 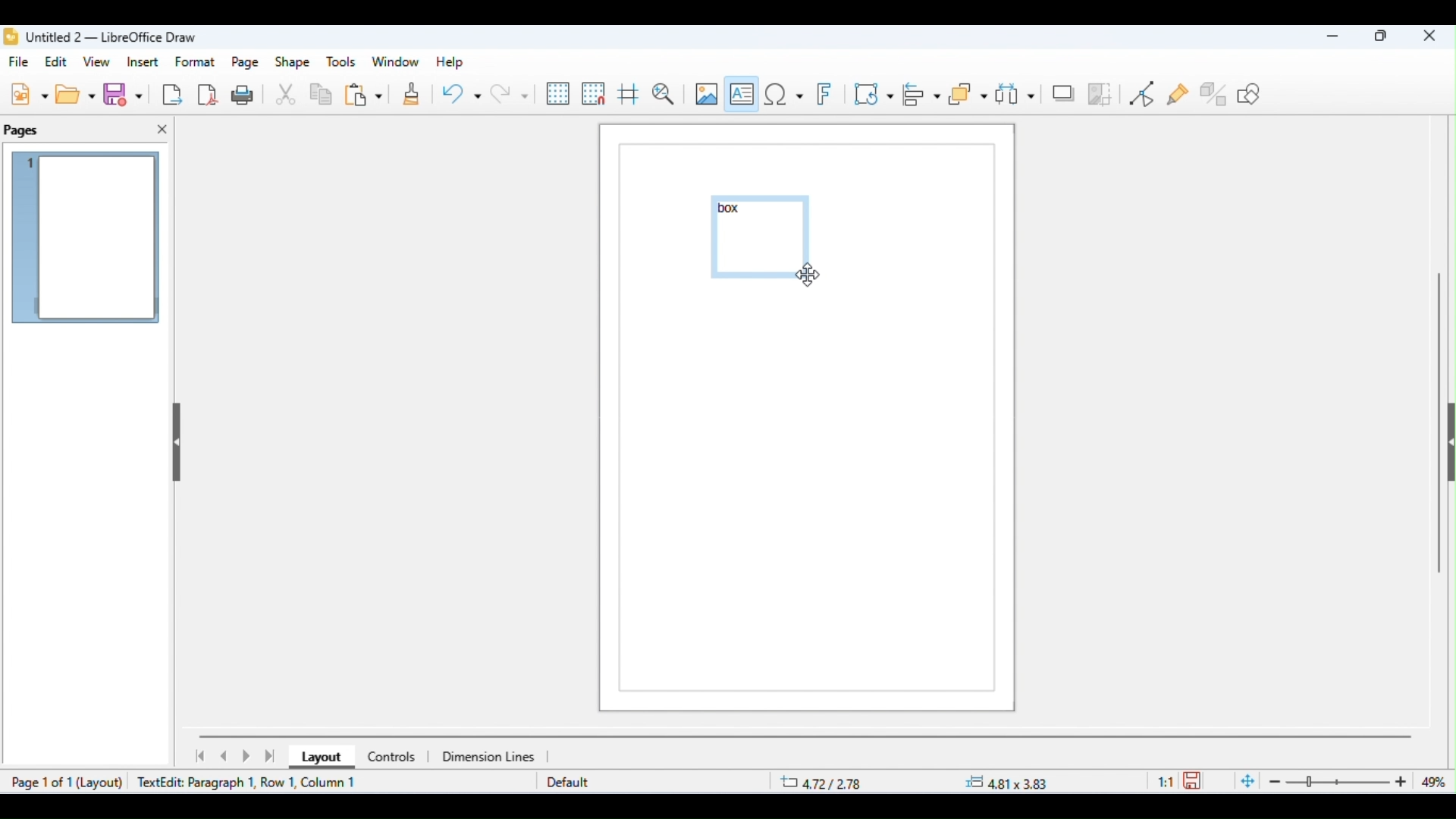 What do you see at coordinates (628, 96) in the screenshot?
I see `show helplines while moving` at bounding box center [628, 96].